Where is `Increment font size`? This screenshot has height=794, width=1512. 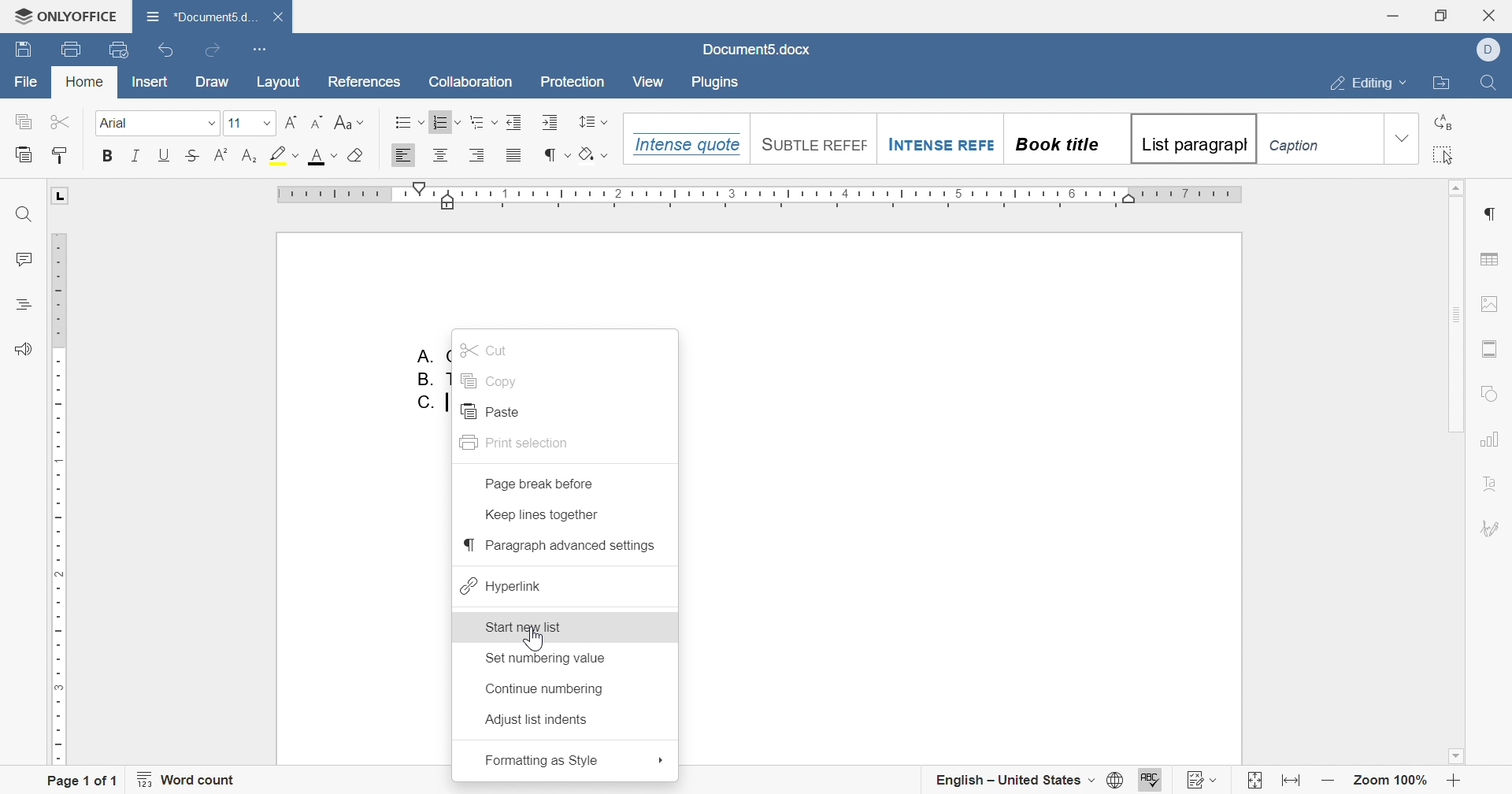 Increment font size is located at coordinates (289, 121).